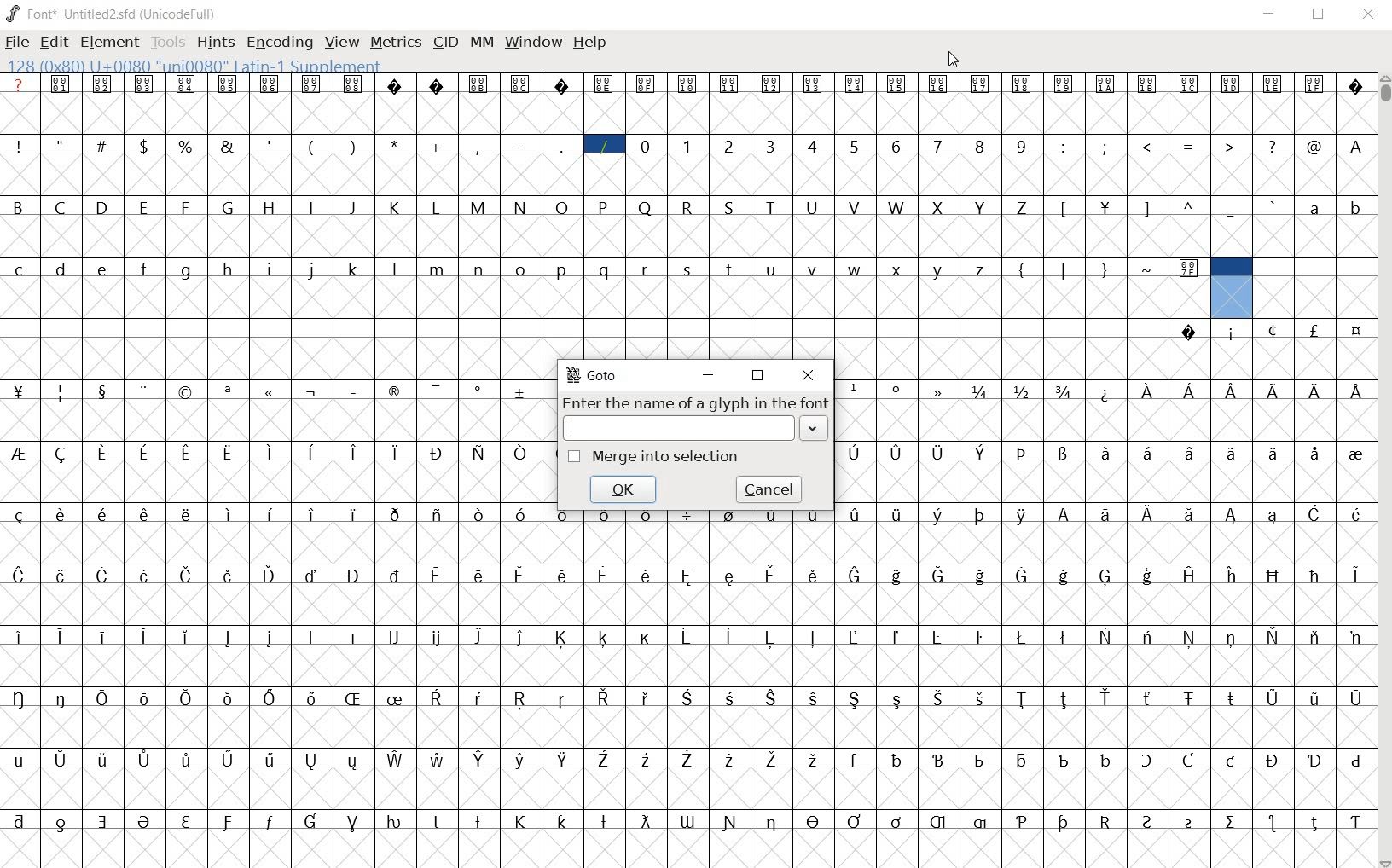 Image resolution: width=1392 pixels, height=868 pixels. What do you see at coordinates (688, 144) in the screenshot?
I see `1` at bounding box center [688, 144].